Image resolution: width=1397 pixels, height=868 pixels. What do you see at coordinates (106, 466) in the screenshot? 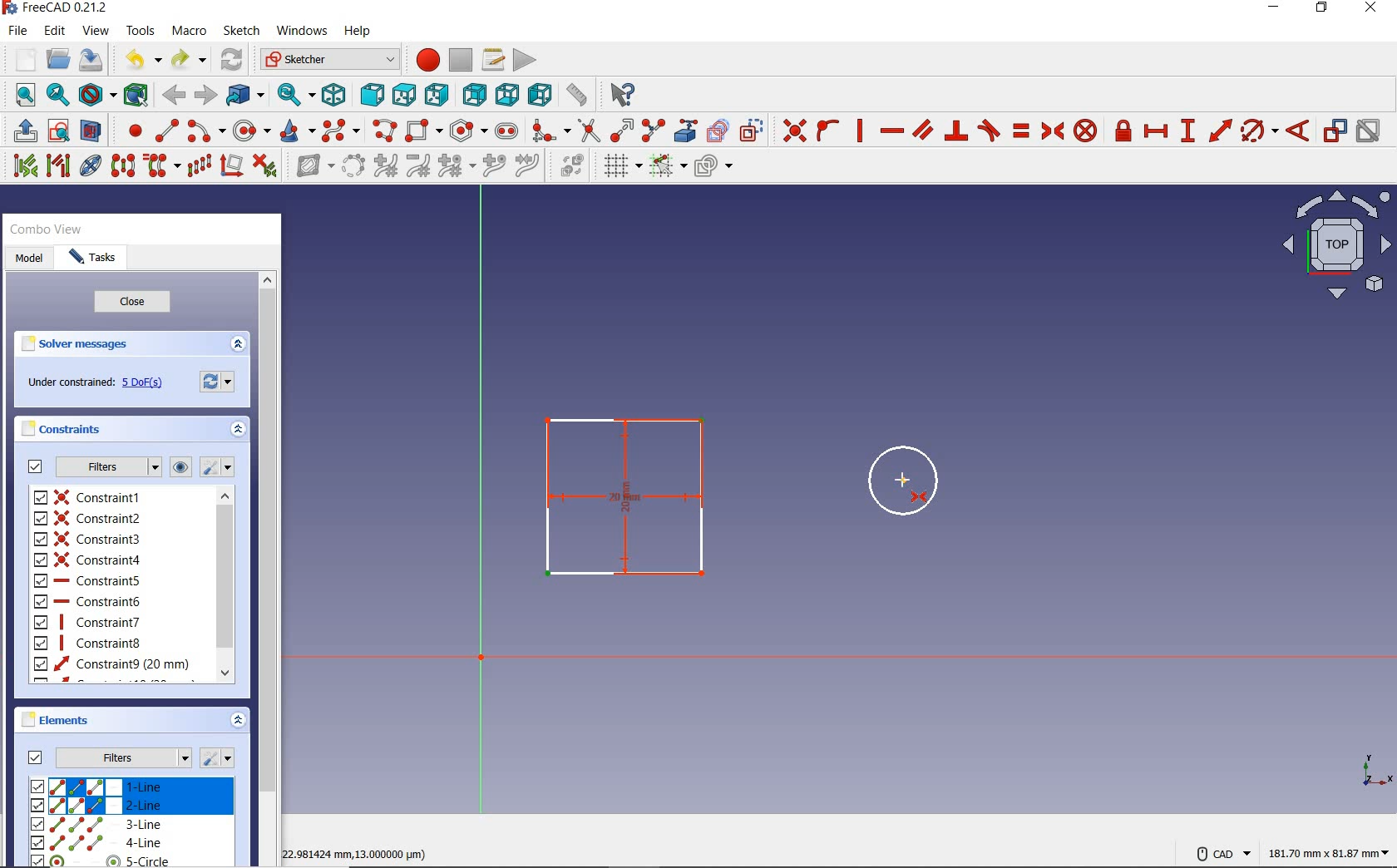
I see `filters` at bounding box center [106, 466].